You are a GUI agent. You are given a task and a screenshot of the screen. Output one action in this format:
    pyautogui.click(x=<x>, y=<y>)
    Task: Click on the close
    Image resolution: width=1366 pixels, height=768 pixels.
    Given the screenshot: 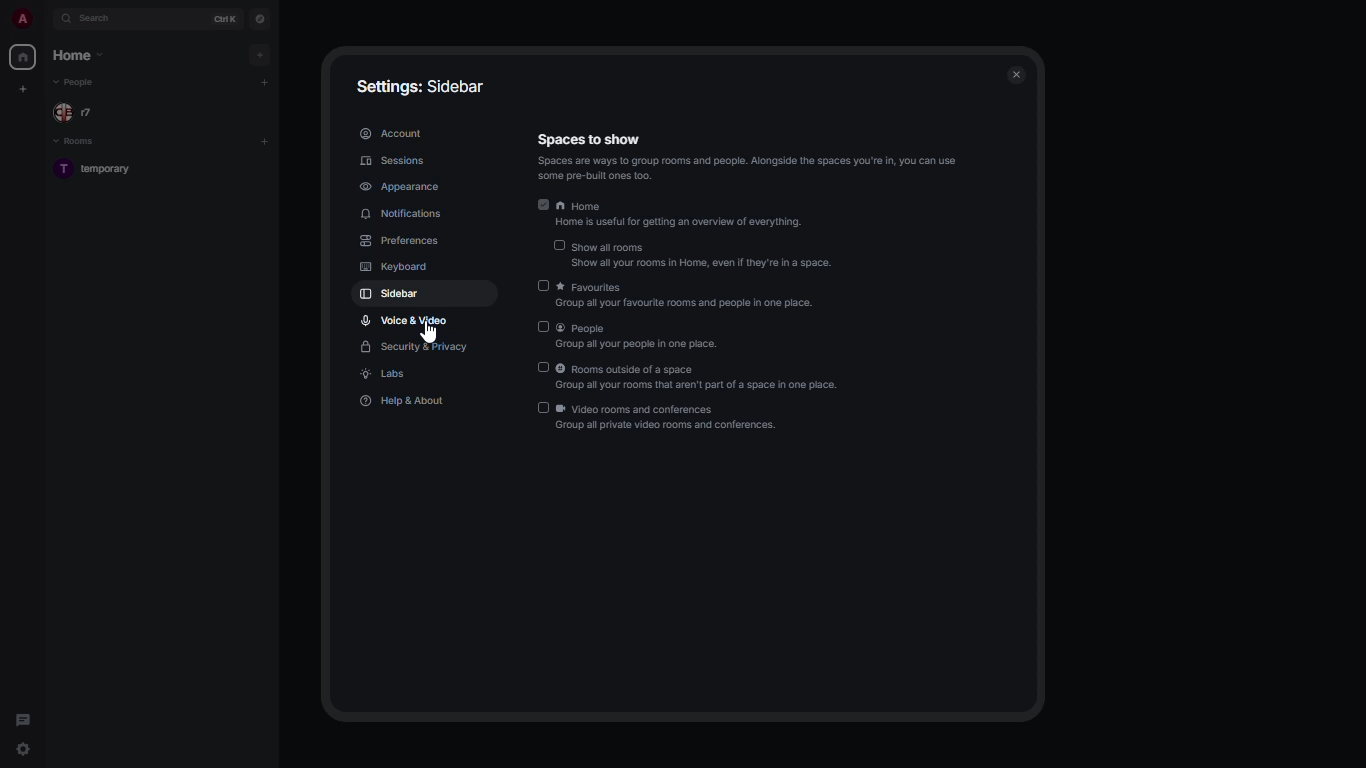 What is the action you would take?
    pyautogui.click(x=1019, y=75)
    